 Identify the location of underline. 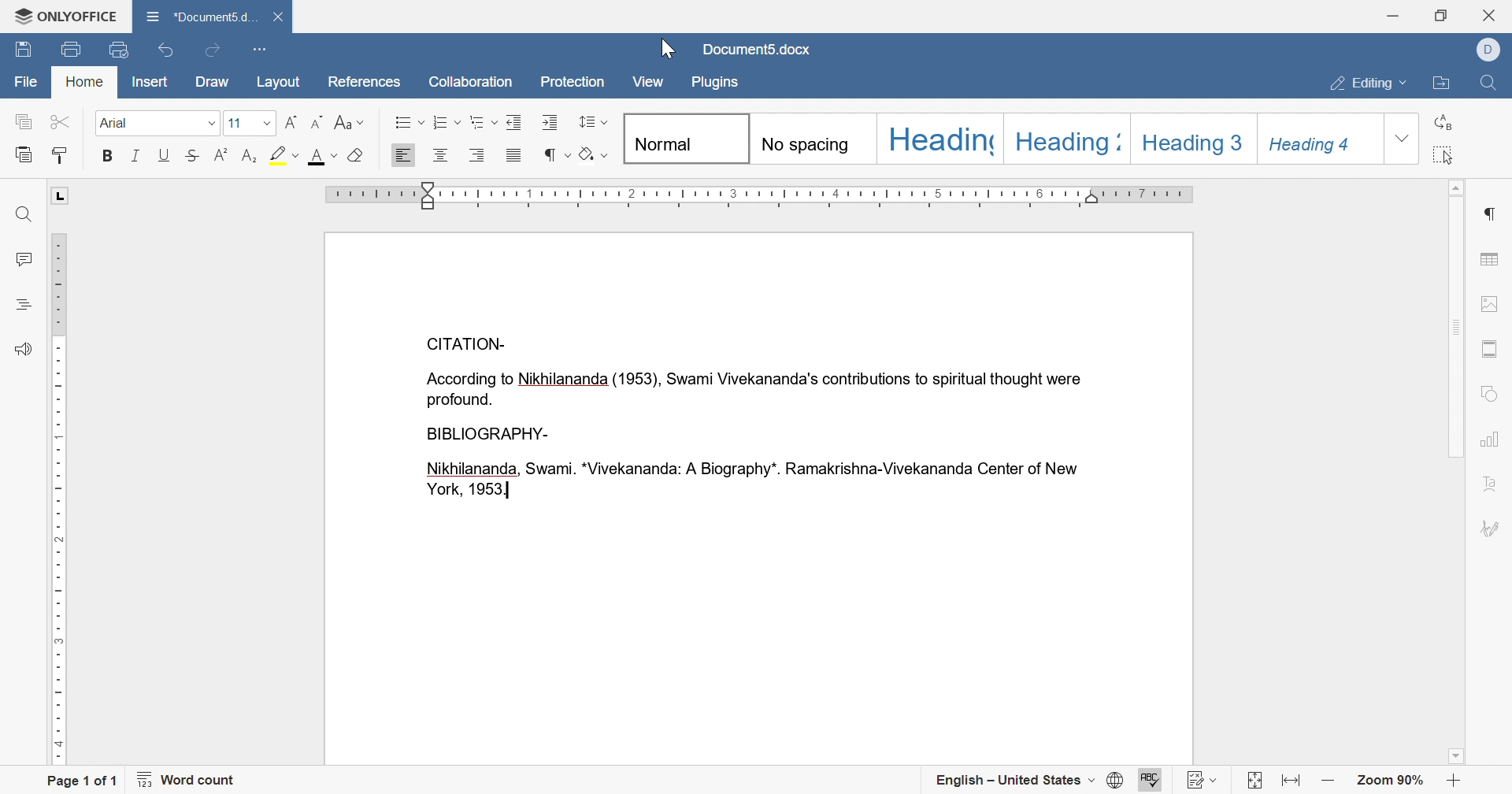
(164, 154).